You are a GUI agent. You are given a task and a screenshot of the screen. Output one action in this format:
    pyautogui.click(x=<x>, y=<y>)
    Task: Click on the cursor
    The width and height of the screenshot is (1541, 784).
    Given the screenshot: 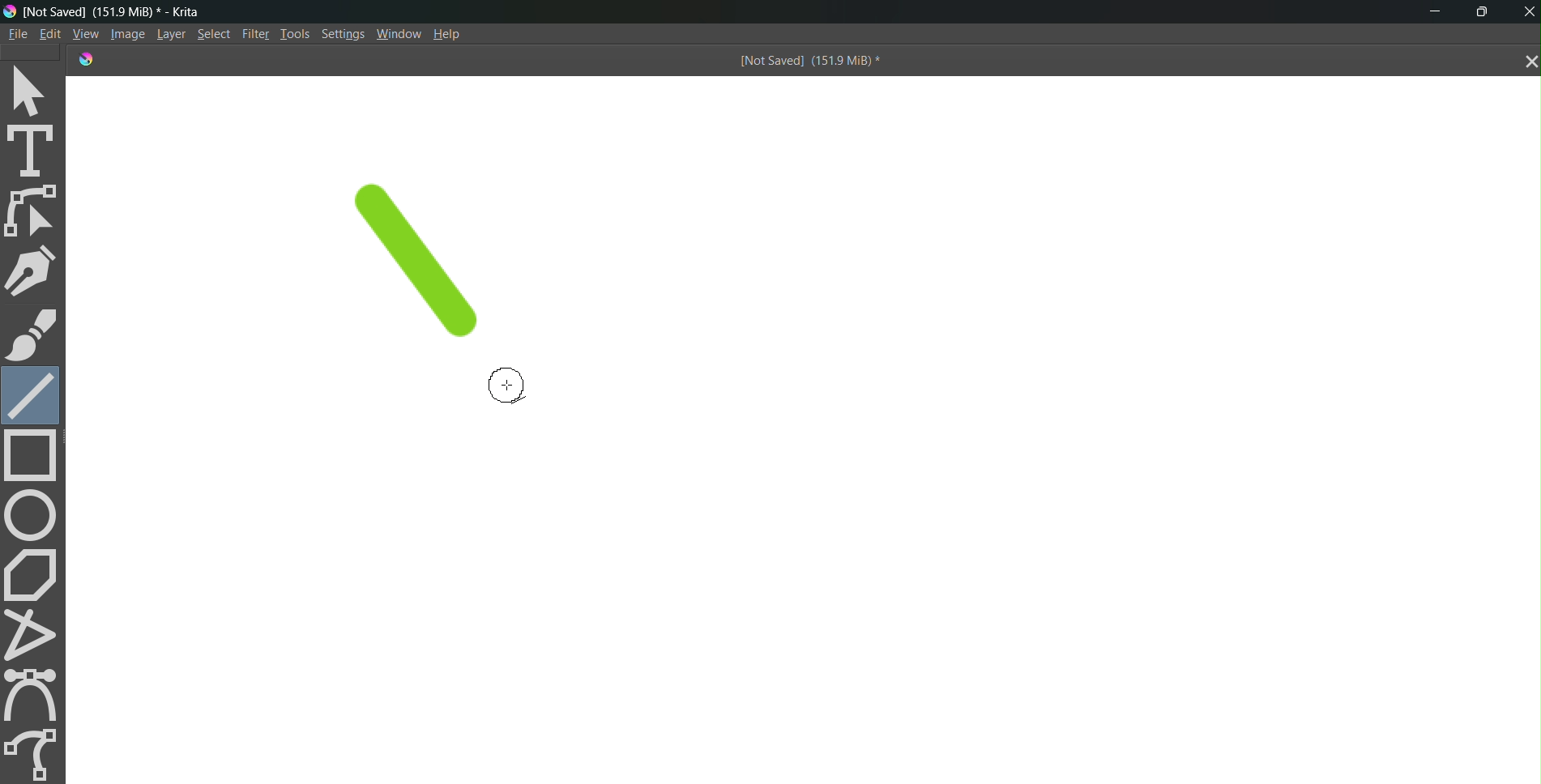 What is the action you would take?
    pyautogui.click(x=510, y=386)
    